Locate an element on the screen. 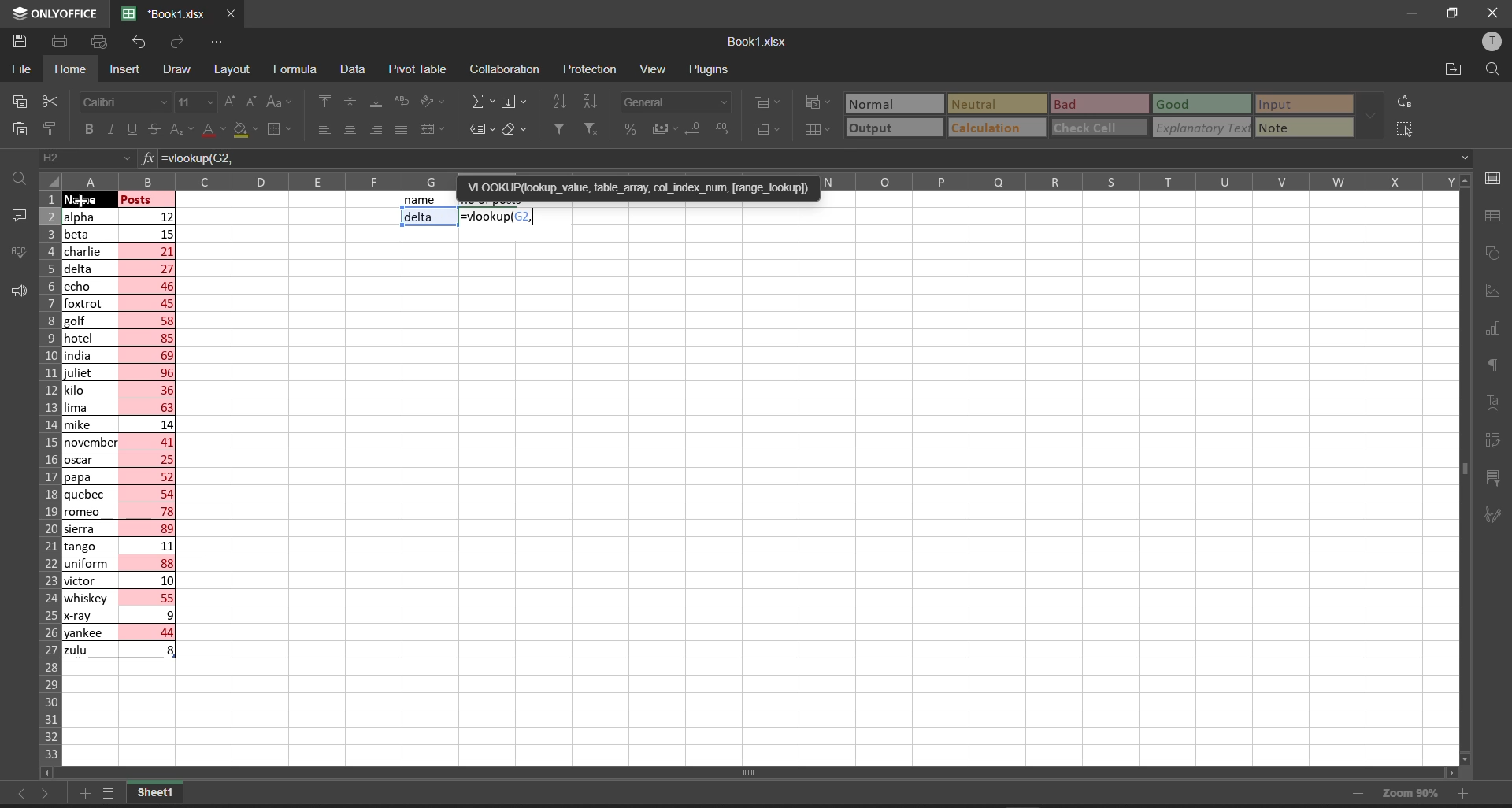  feedback and support is located at coordinates (14, 291).